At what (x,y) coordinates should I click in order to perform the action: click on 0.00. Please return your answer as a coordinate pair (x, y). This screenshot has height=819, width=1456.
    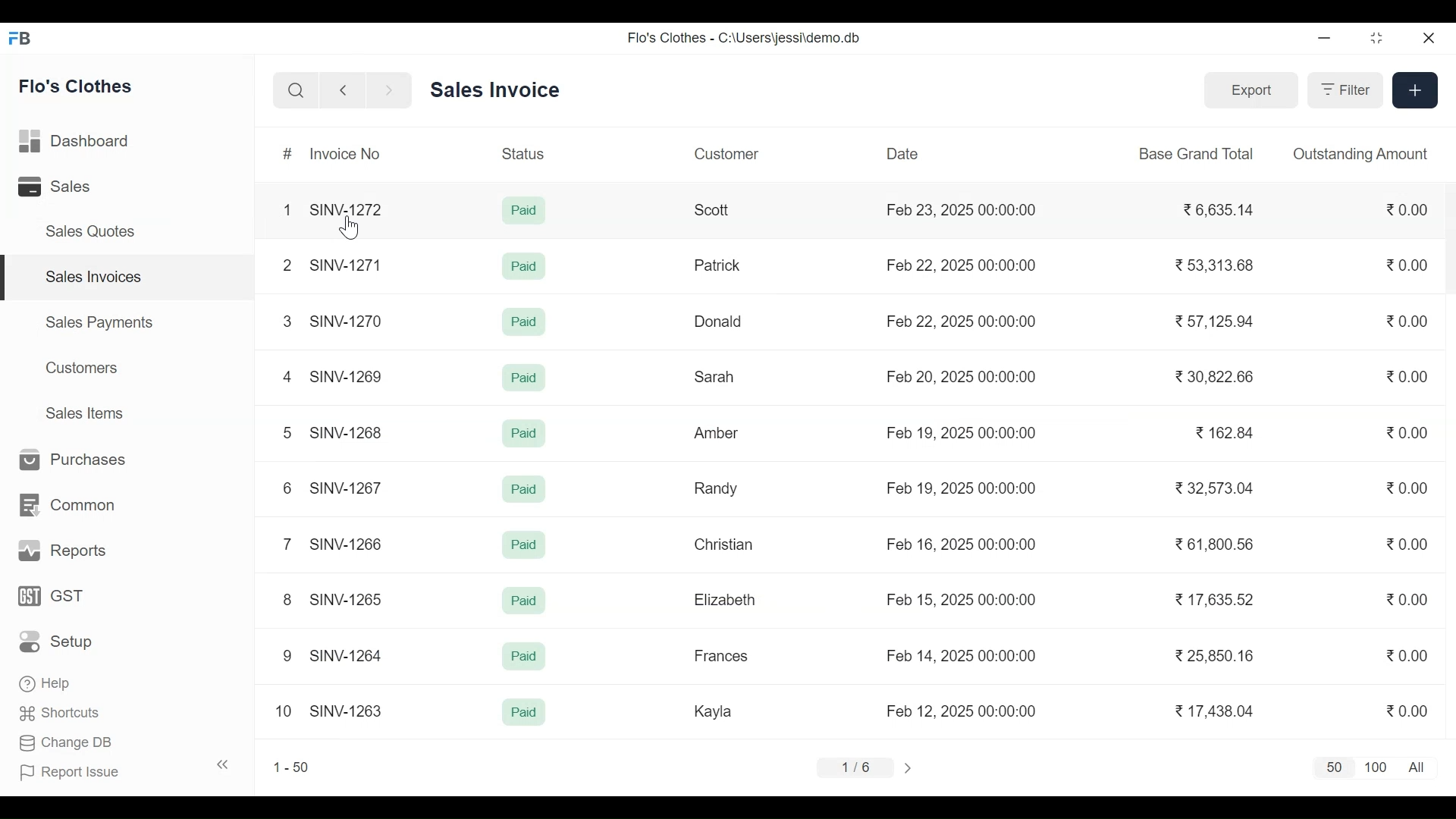
    Looking at the image, I should click on (1409, 265).